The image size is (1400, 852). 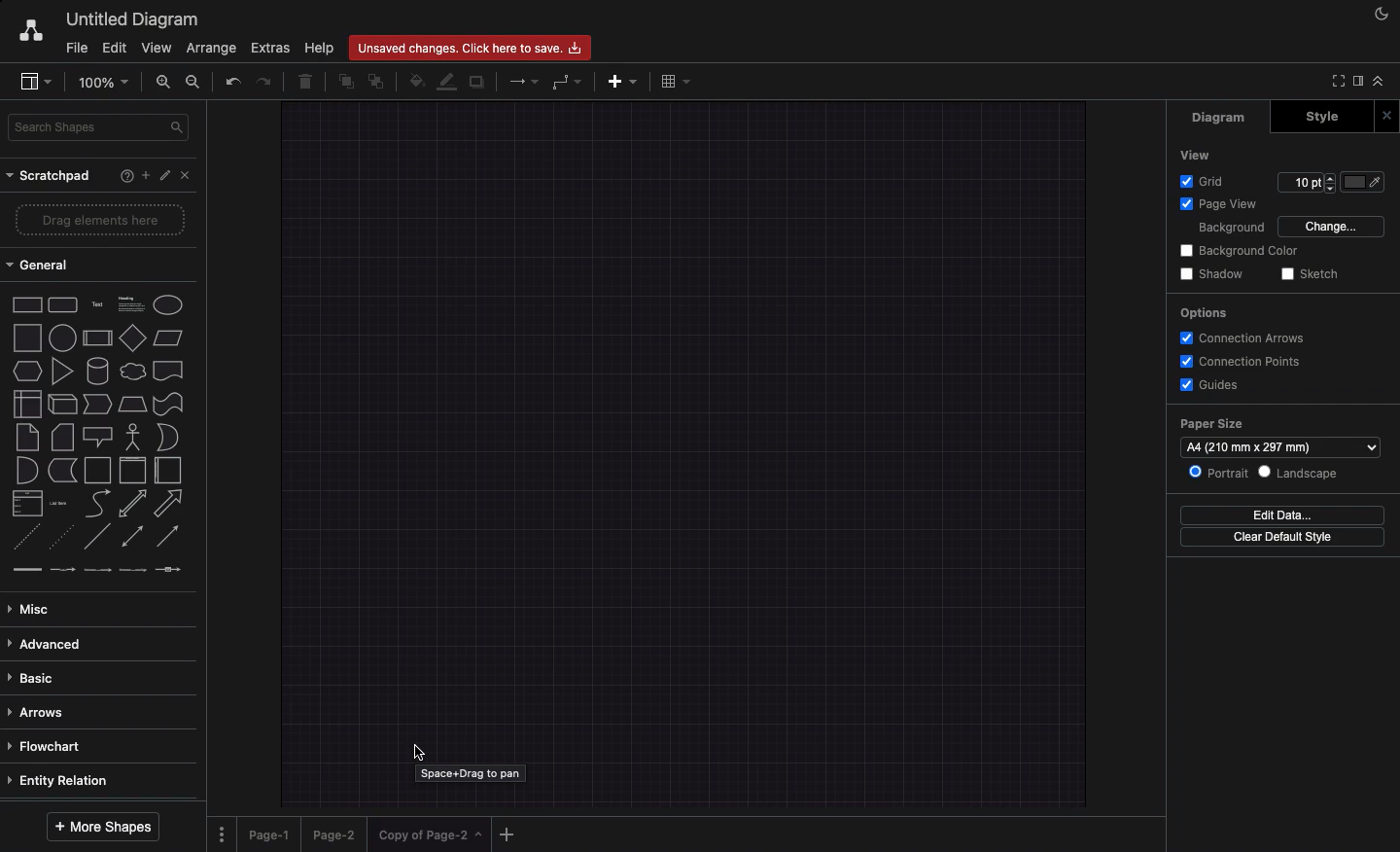 What do you see at coordinates (1379, 81) in the screenshot?
I see `Collapse` at bounding box center [1379, 81].